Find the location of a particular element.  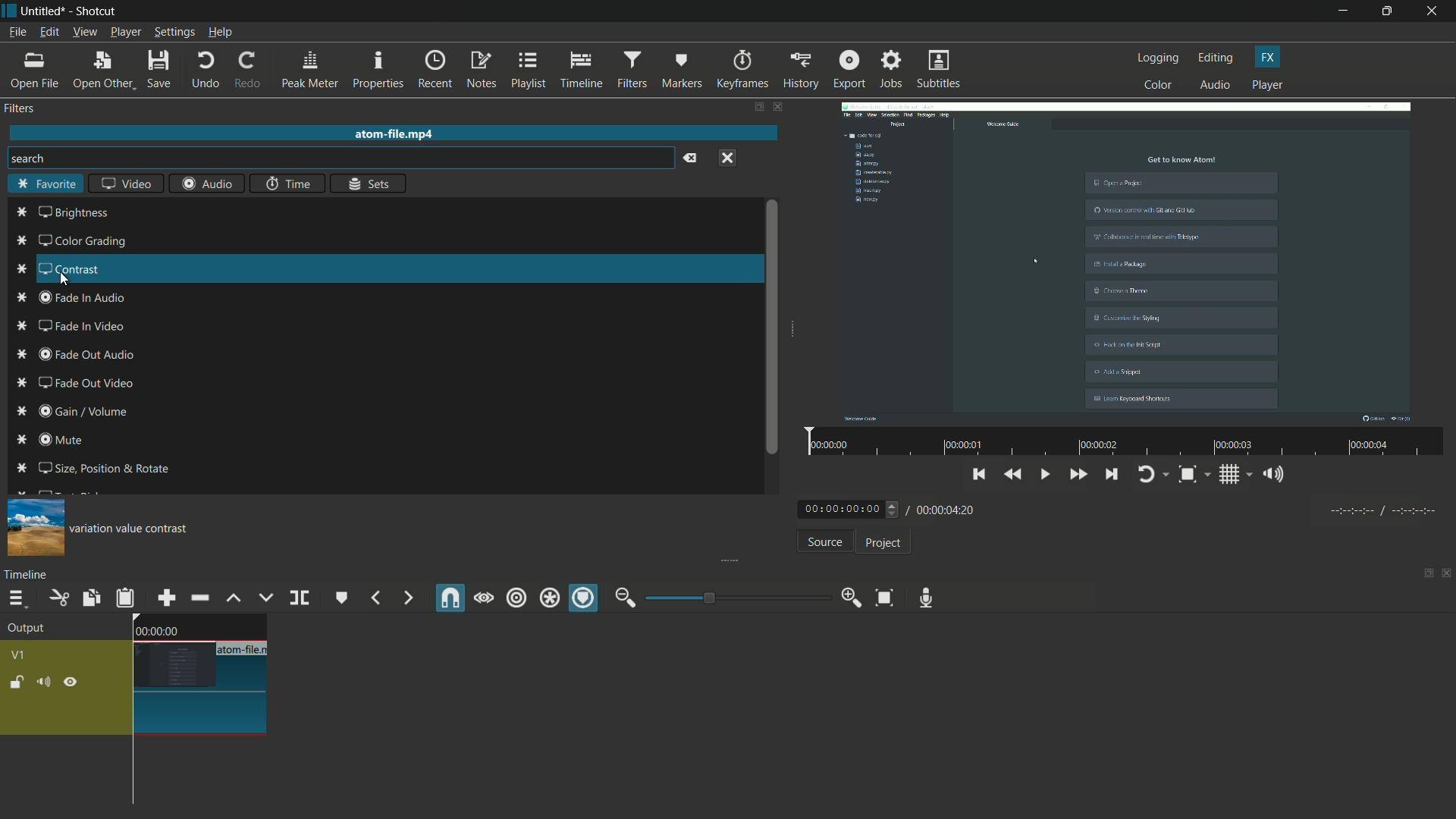

overwrite is located at coordinates (263, 598).